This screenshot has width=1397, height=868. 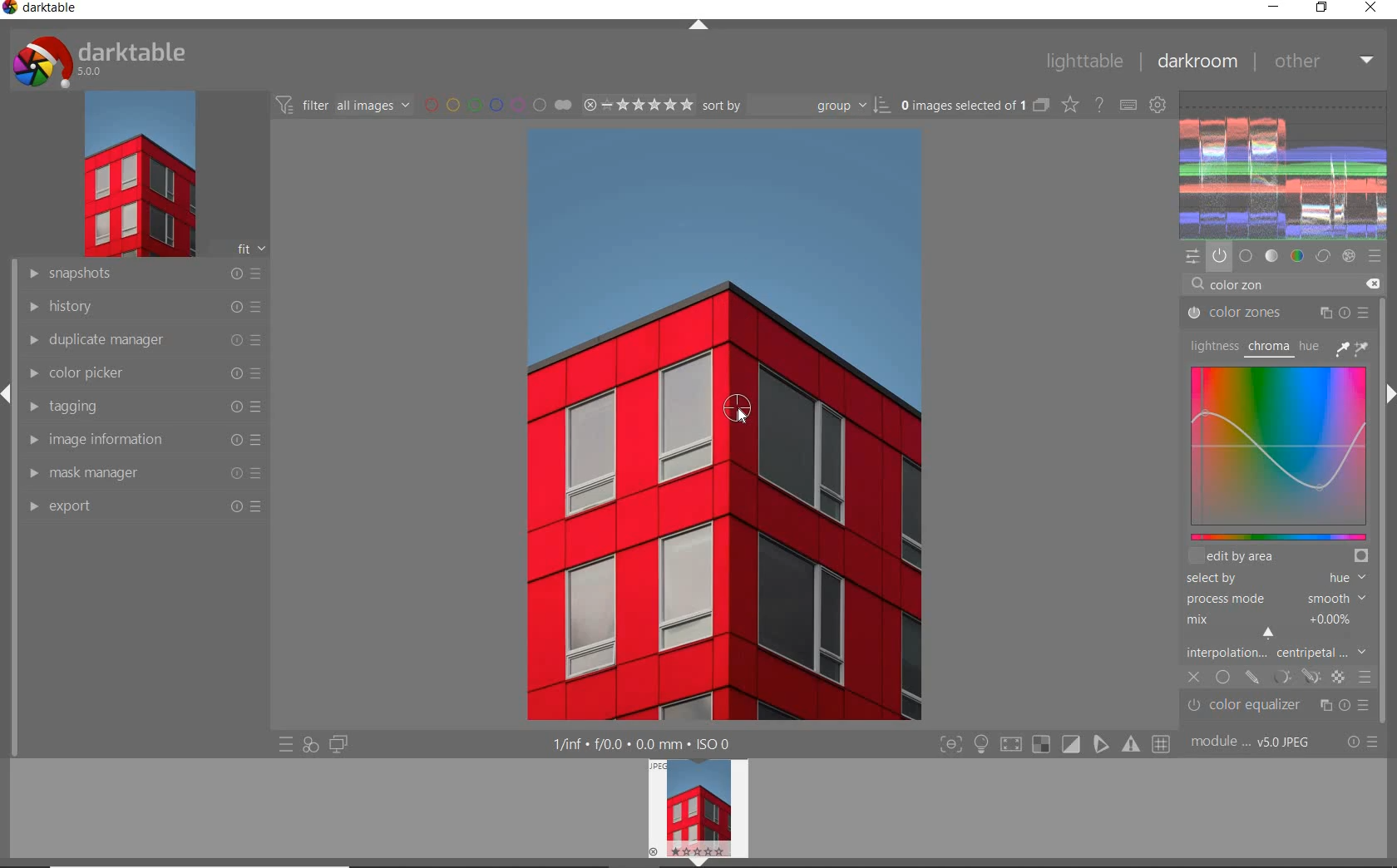 I want to click on filter all images, so click(x=344, y=105).